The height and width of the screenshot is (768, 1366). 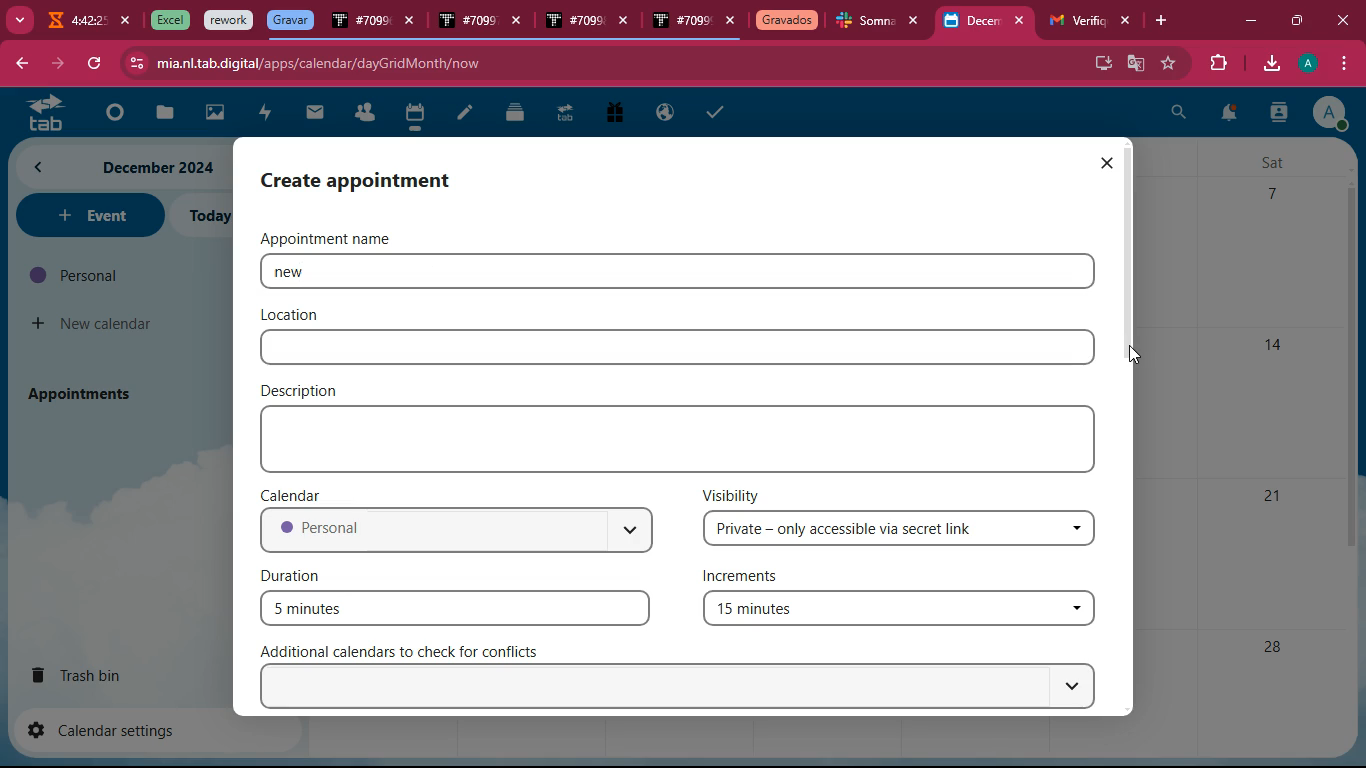 I want to click on type, so click(x=683, y=439).